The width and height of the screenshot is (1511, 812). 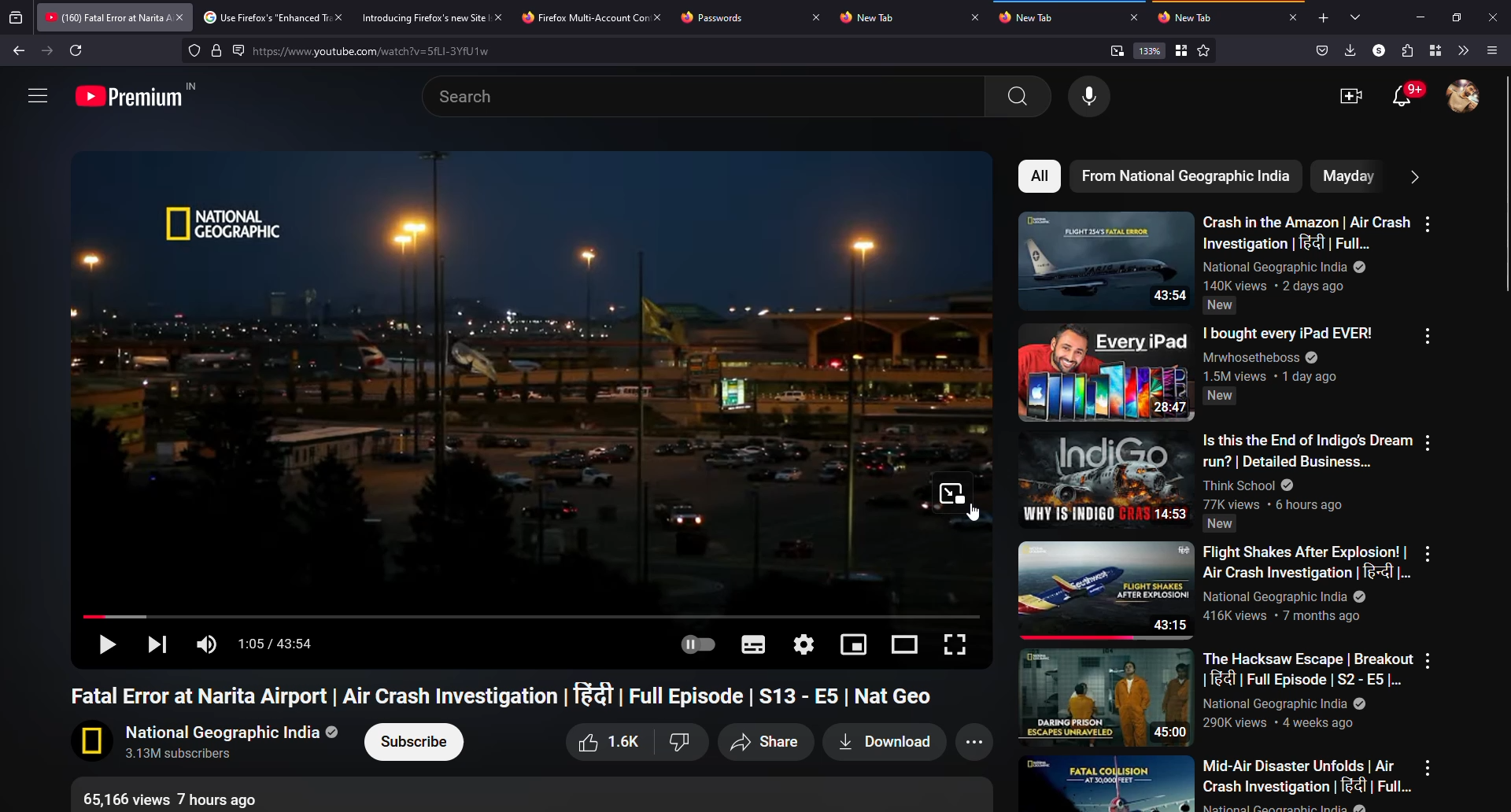 What do you see at coordinates (1132, 17) in the screenshot?
I see `close` at bounding box center [1132, 17].